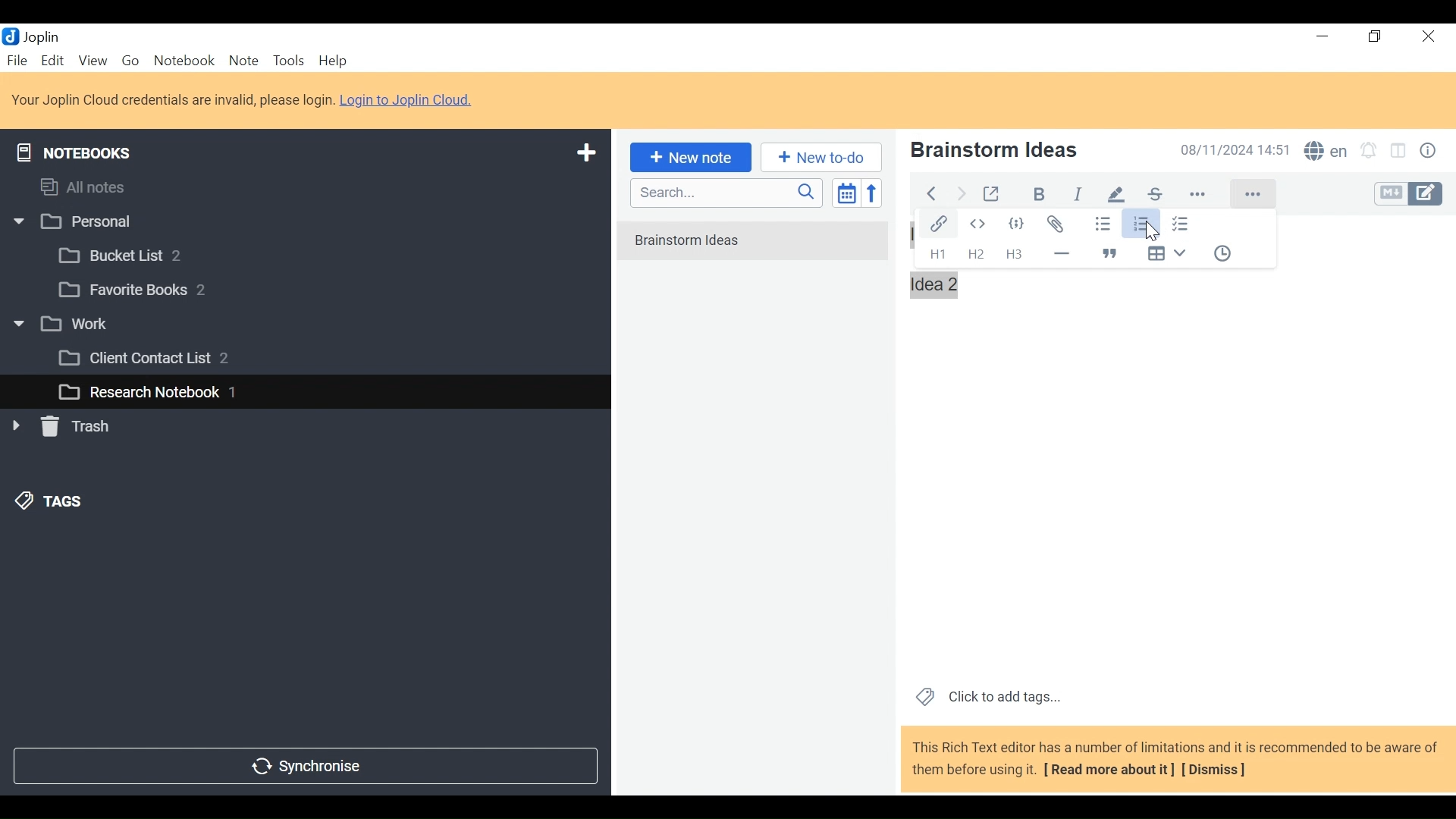  What do you see at coordinates (1202, 193) in the screenshot?
I see `more options` at bounding box center [1202, 193].